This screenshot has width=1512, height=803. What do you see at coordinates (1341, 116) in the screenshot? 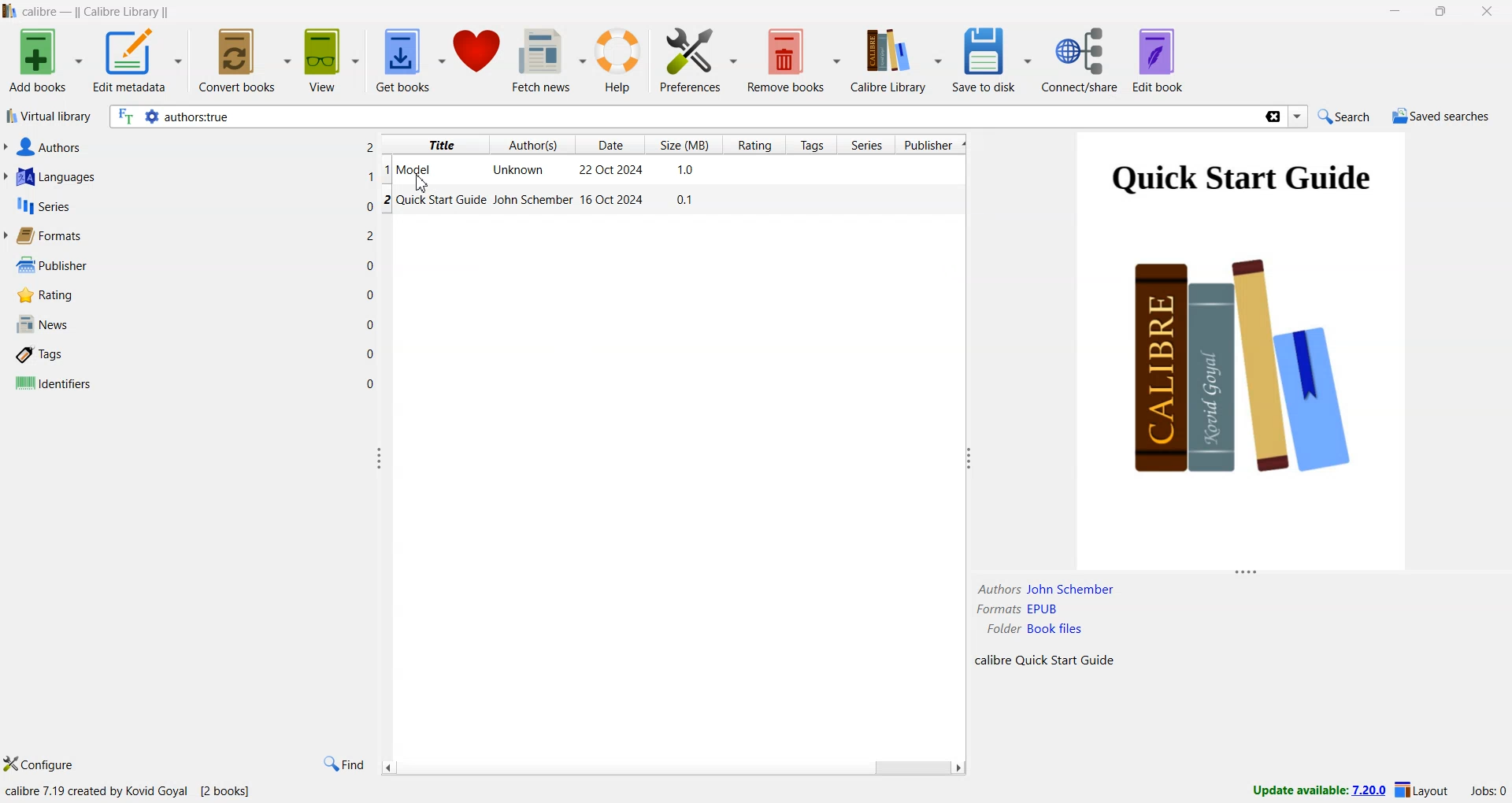
I see `search` at bounding box center [1341, 116].